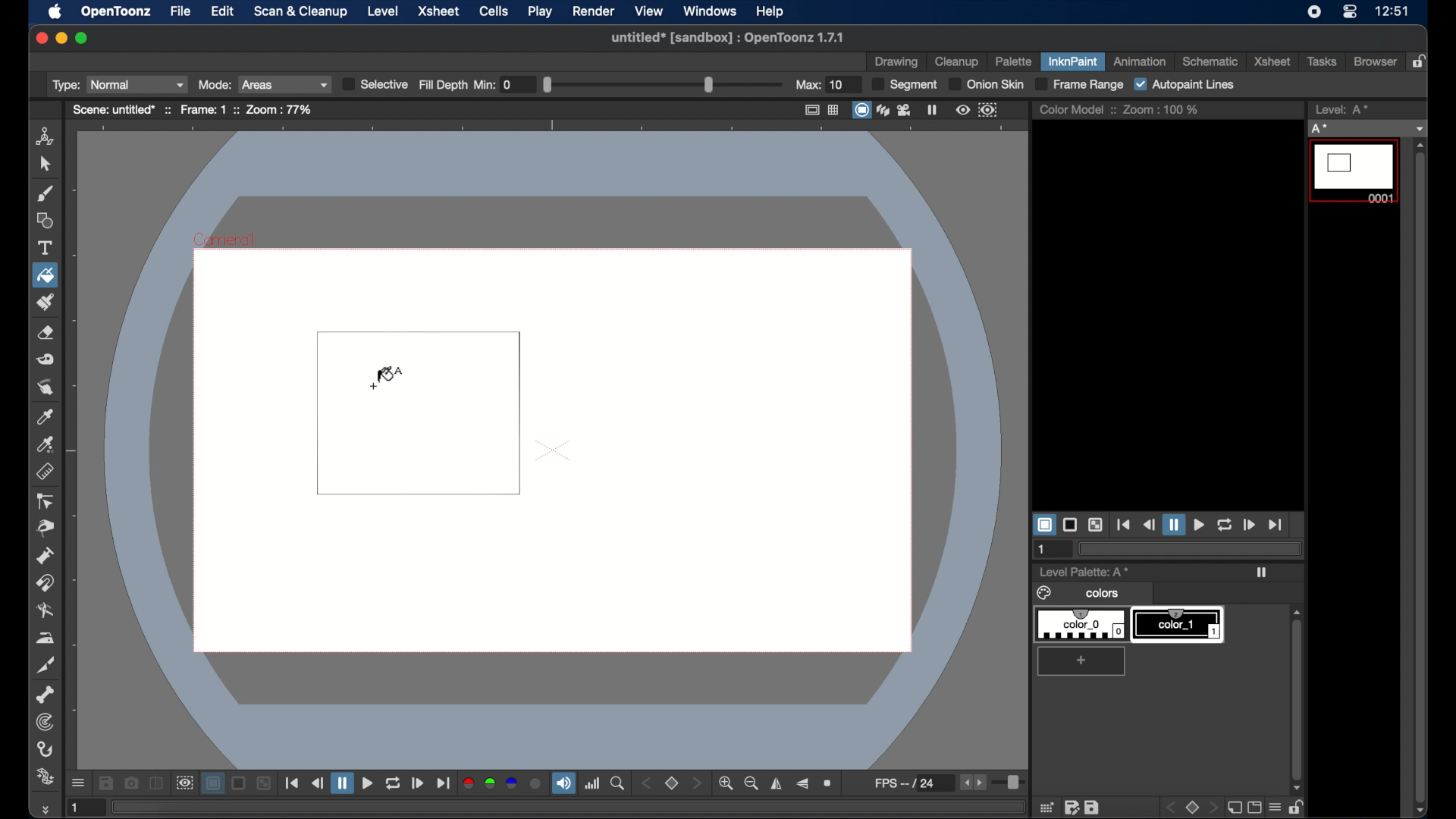 This screenshot has height=819, width=1456. Describe the element at coordinates (40, 39) in the screenshot. I see `close` at that location.